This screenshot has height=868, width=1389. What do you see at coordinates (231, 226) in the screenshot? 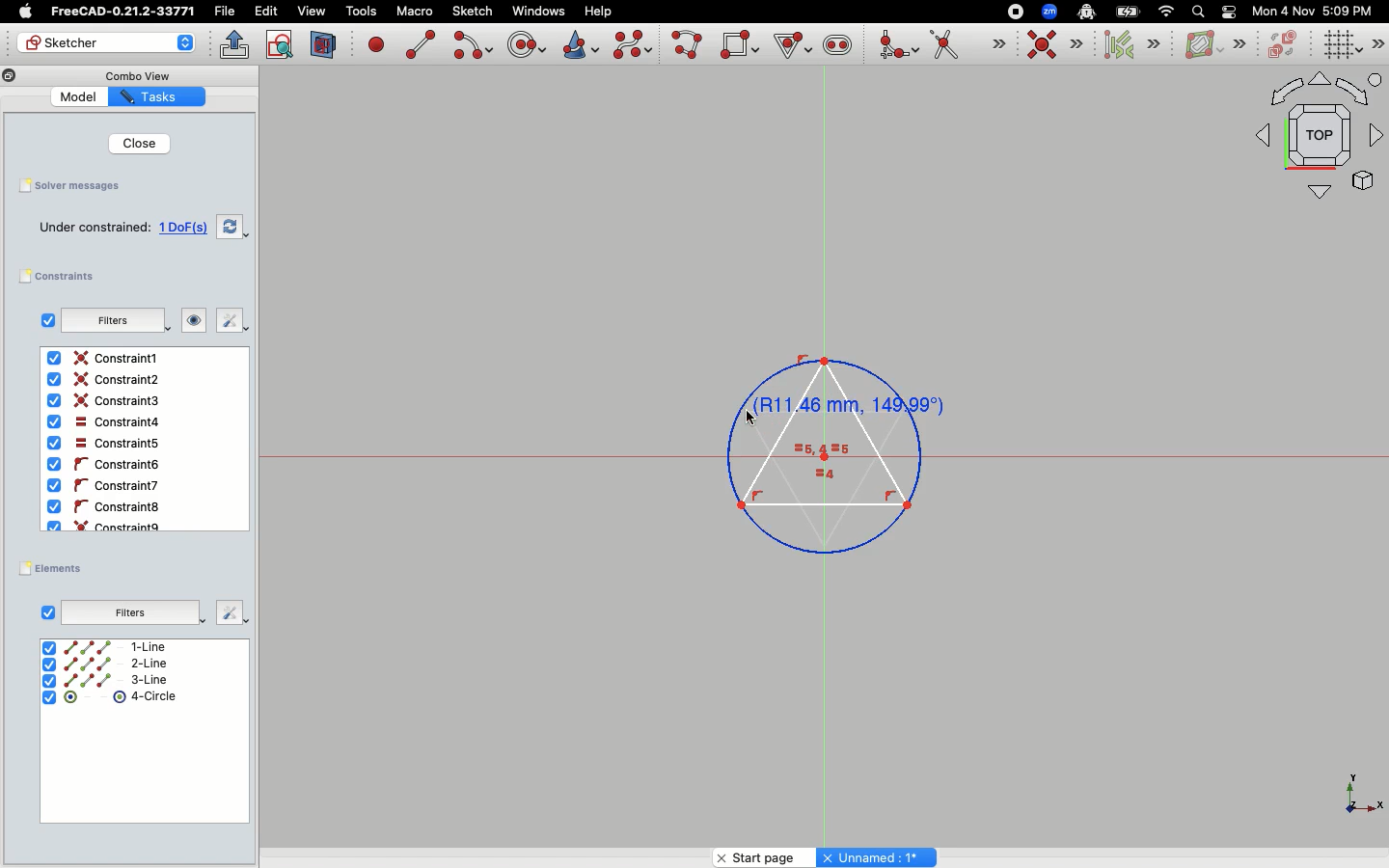
I see `Swap` at bounding box center [231, 226].